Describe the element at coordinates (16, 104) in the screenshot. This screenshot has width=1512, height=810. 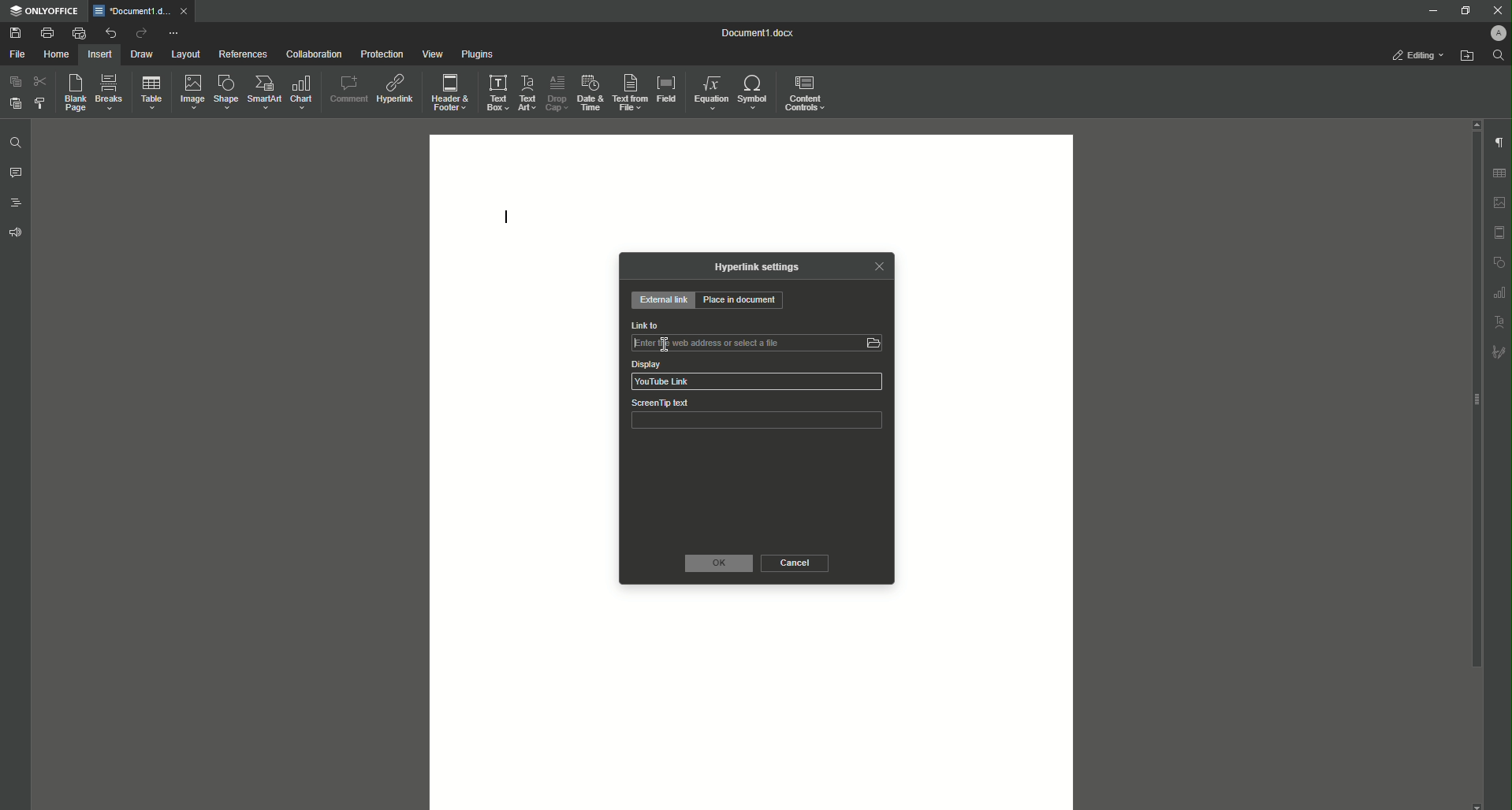
I see `Paste` at that location.